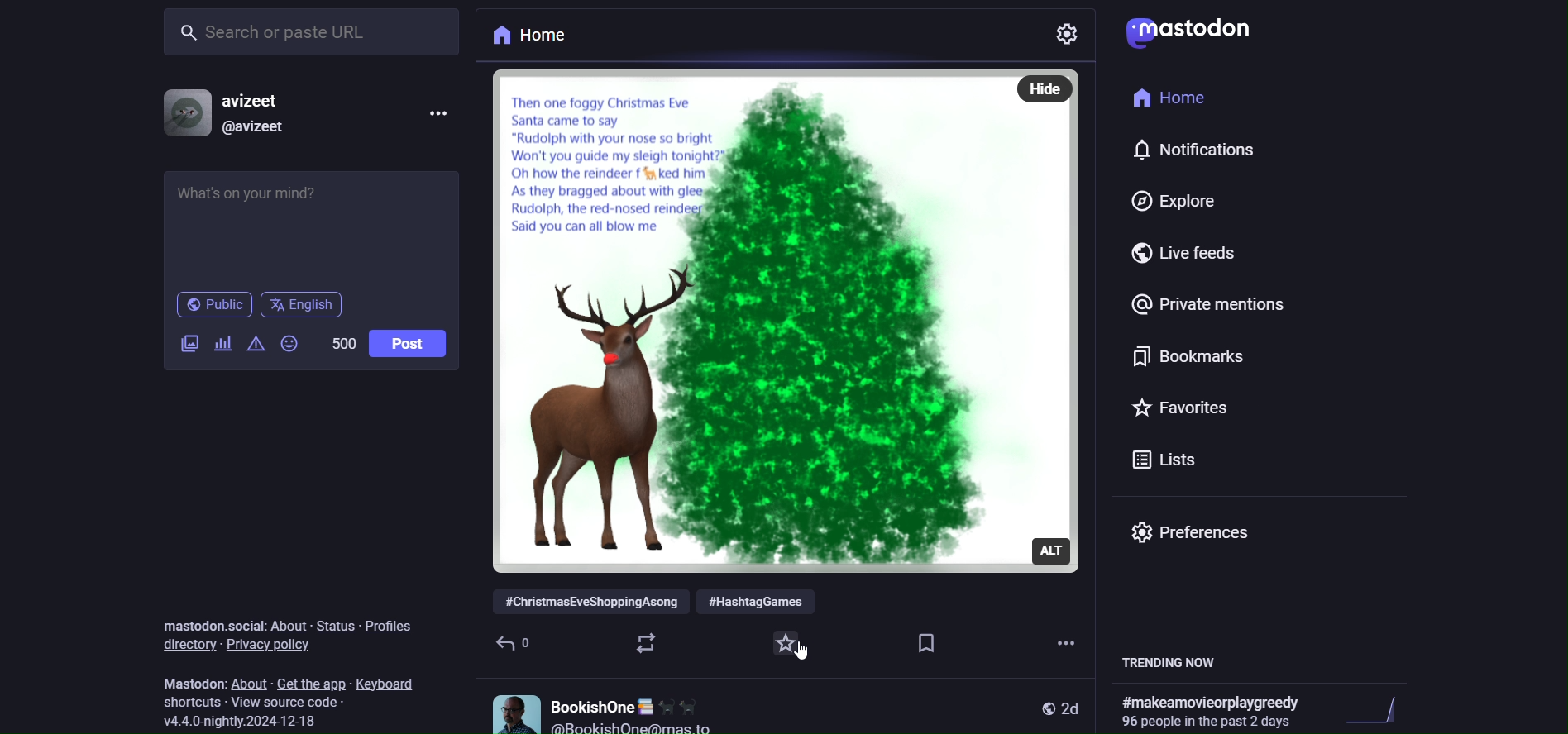 The image size is (1568, 734). Describe the element at coordinates (393, 625) in the screenshot. I see `profiles` at that location.